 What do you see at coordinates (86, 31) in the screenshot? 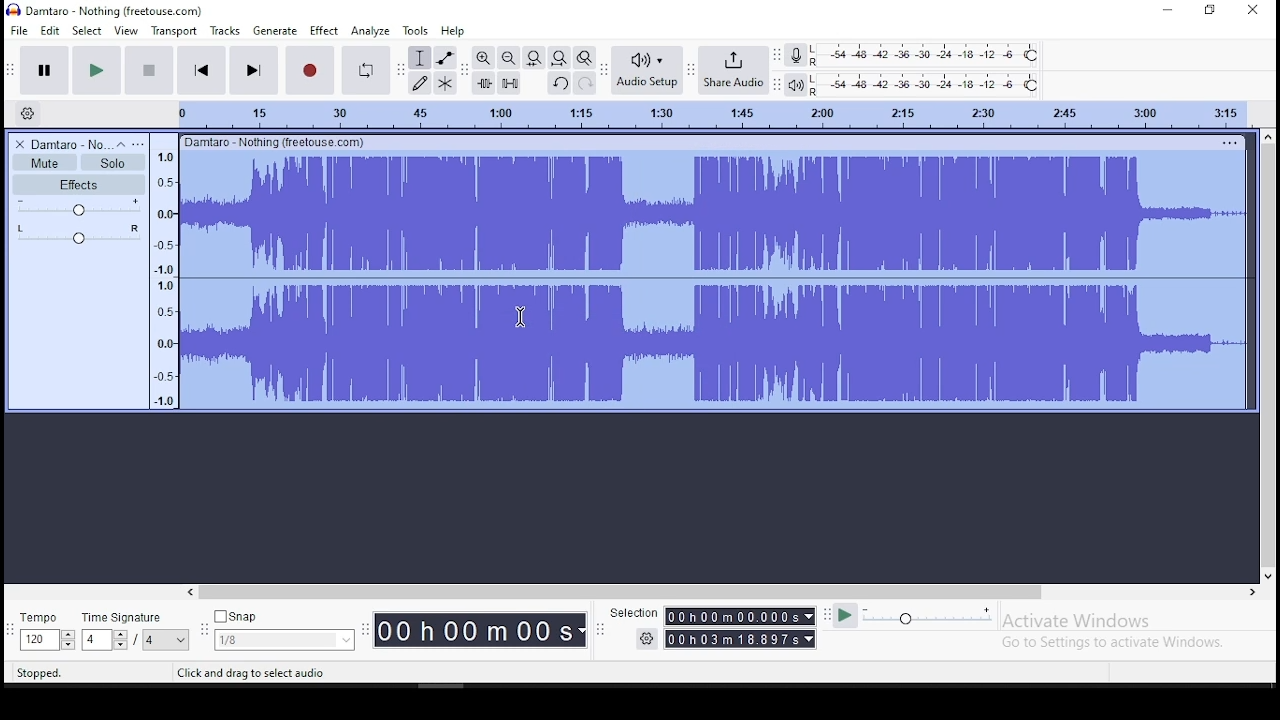
I see `select` at bounding box center [86, 31].